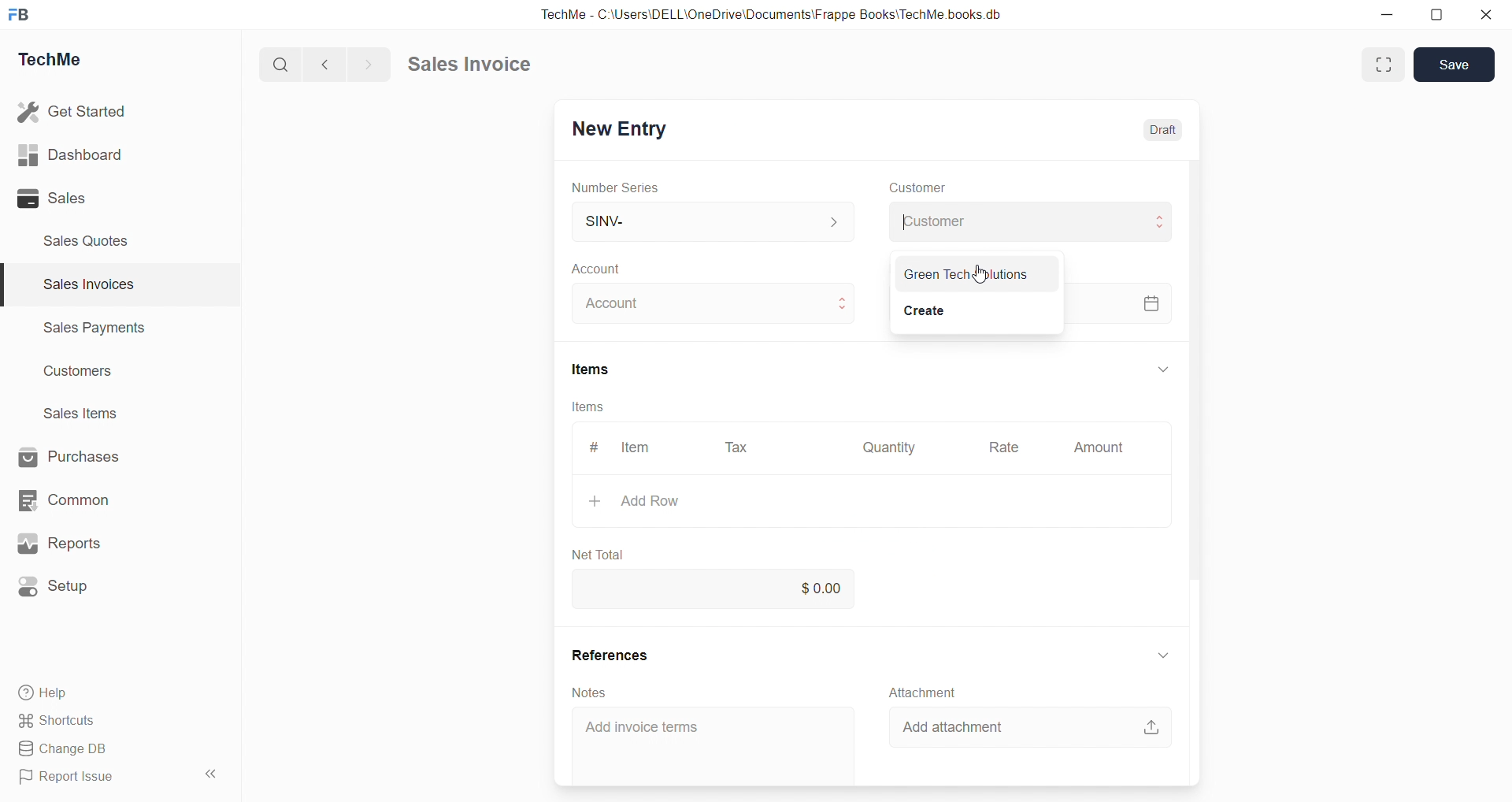  Describe the element at coordinates (889, 448) in the screenshot. I see `Quantity` at that location.